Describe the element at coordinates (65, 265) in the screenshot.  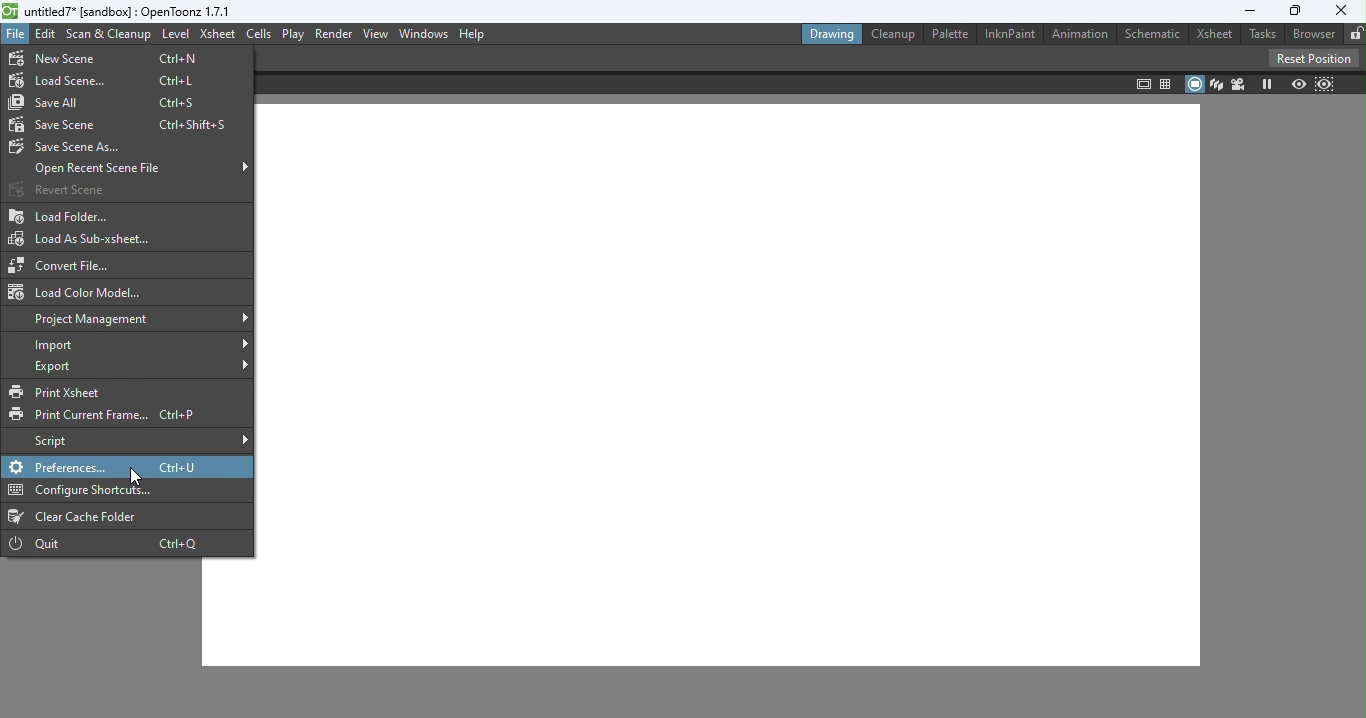
I see `Convert file` at that location.